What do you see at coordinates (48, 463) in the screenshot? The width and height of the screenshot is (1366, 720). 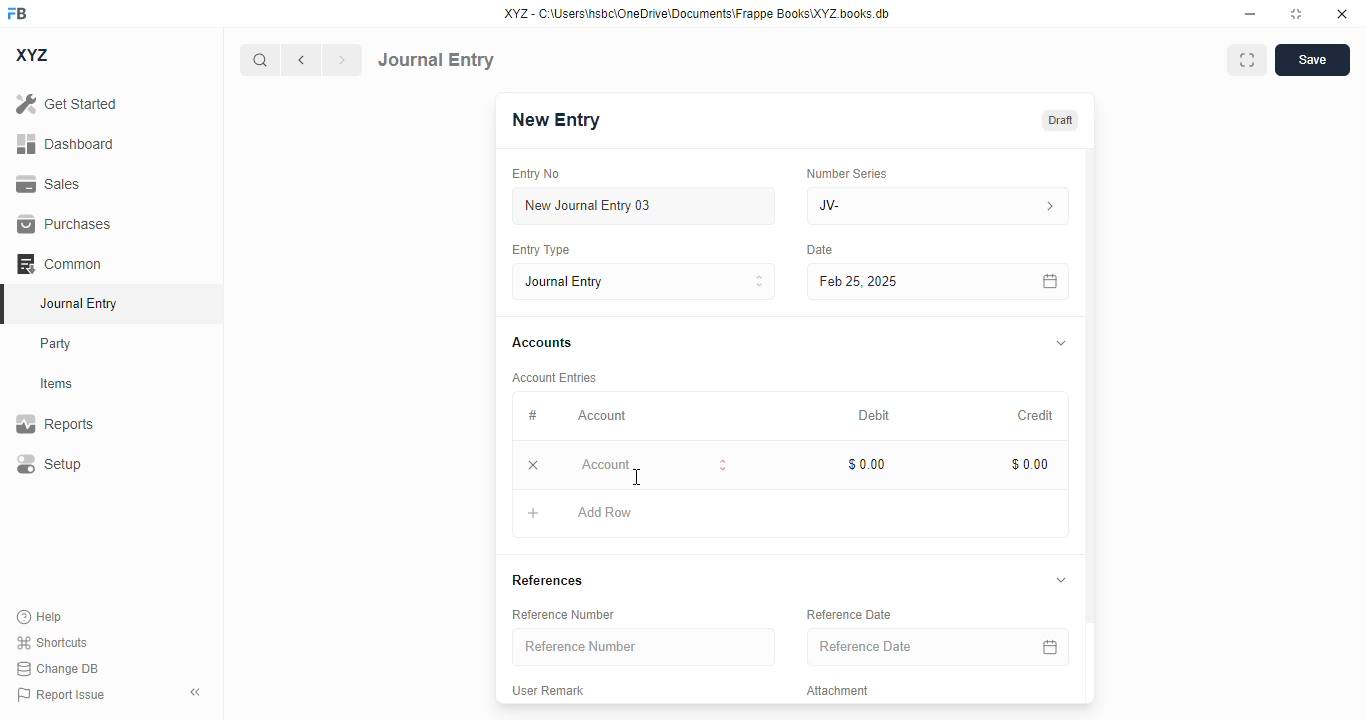 I see `setup` at bounding box center [48, 463].